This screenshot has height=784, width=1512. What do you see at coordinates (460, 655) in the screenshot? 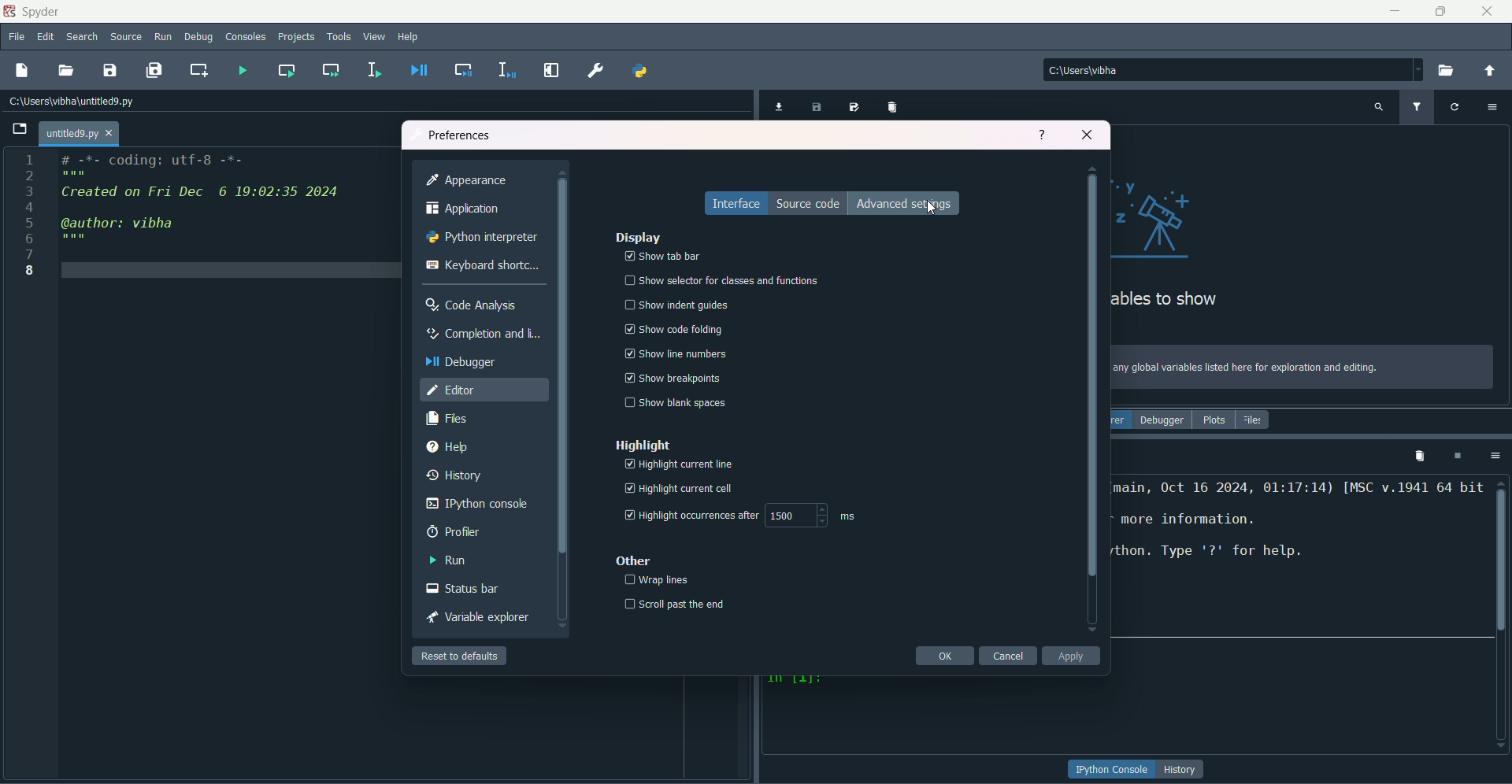
I see `reset to default` at bounding box center [460, 655].